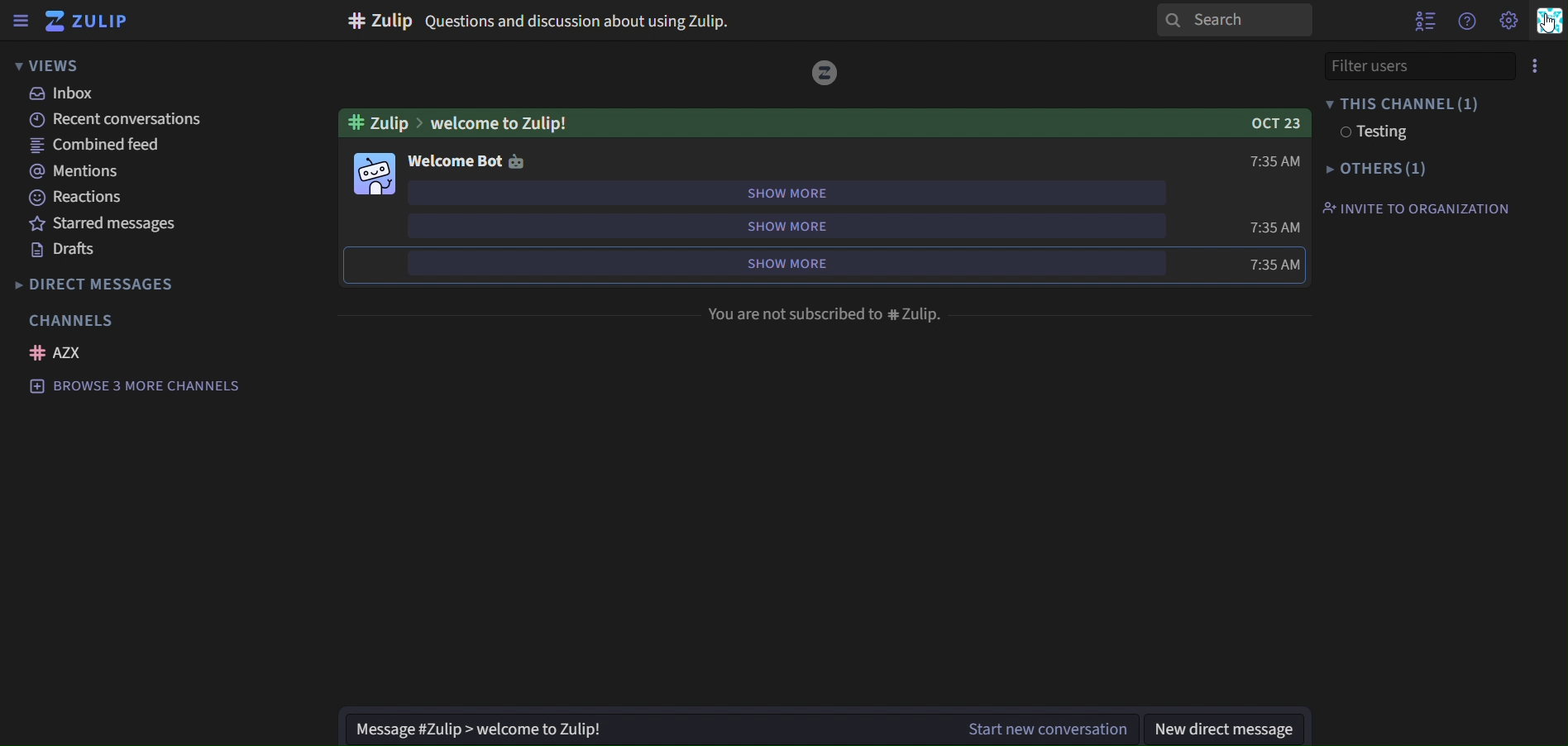 Image resolution: width=1568 pixels, height=746 pixels. I want to click on AZX, so click(58, 352).